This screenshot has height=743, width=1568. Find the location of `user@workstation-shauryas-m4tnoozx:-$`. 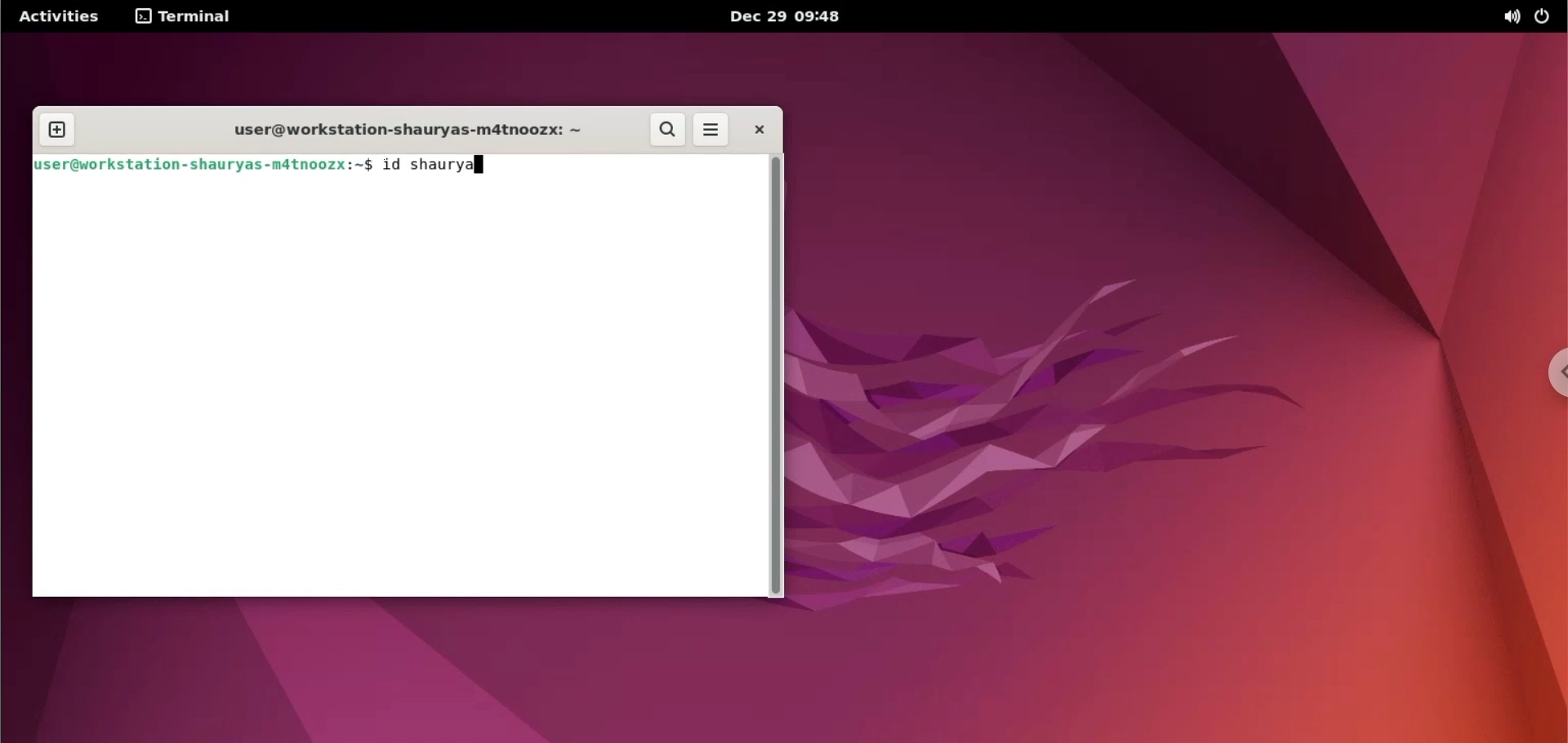

user@workstation-shauryas-m4tnoozx:-$ is located at coordinates (204, 166).